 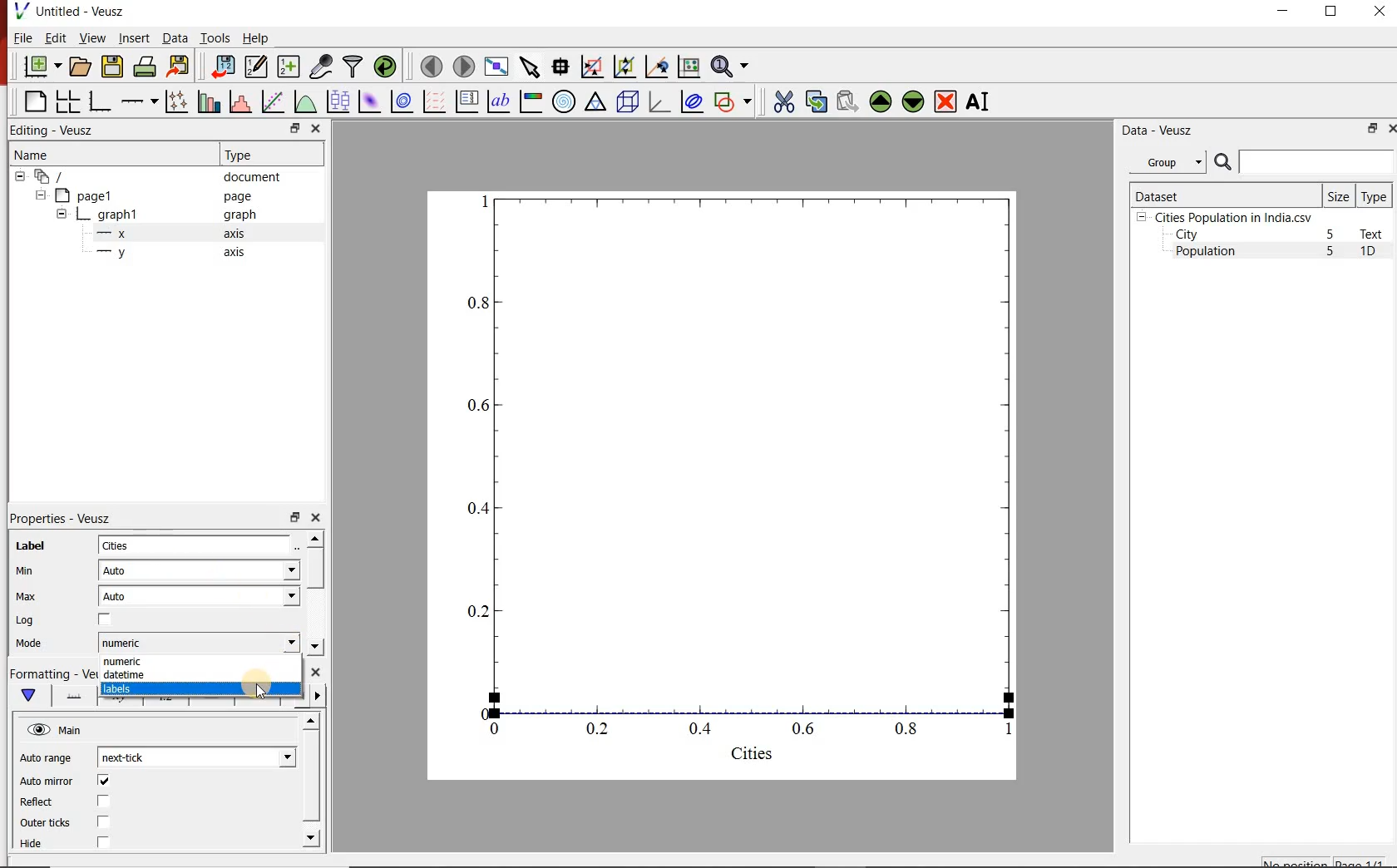 What do you see at coordinates (1232, 217) in the screenshot?
I see `Cities Population in India.csv` at bounding box center [1232, 217].